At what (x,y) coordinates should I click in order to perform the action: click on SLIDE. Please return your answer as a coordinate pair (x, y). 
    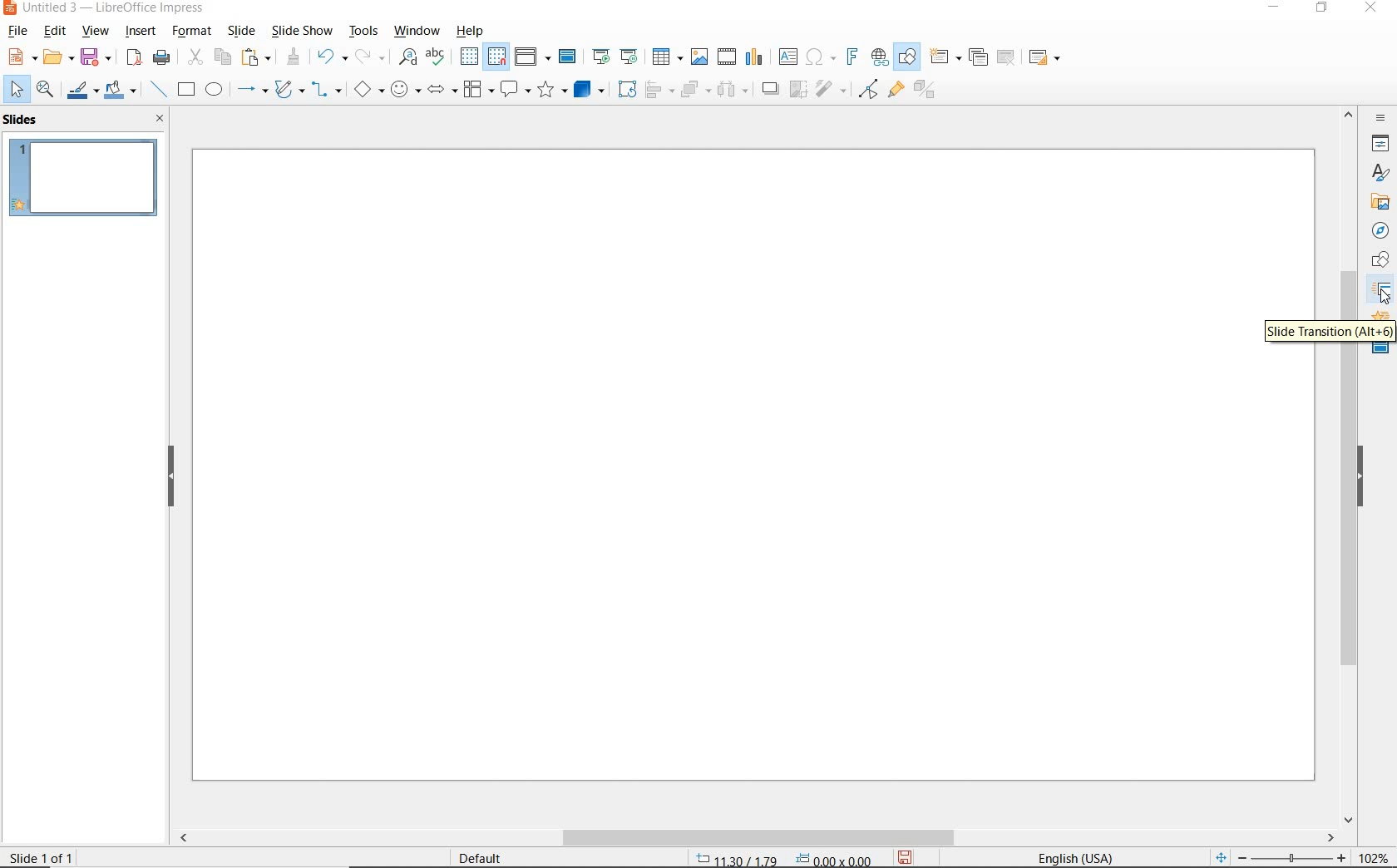
    Looking at the image, I should click on (245, 31).